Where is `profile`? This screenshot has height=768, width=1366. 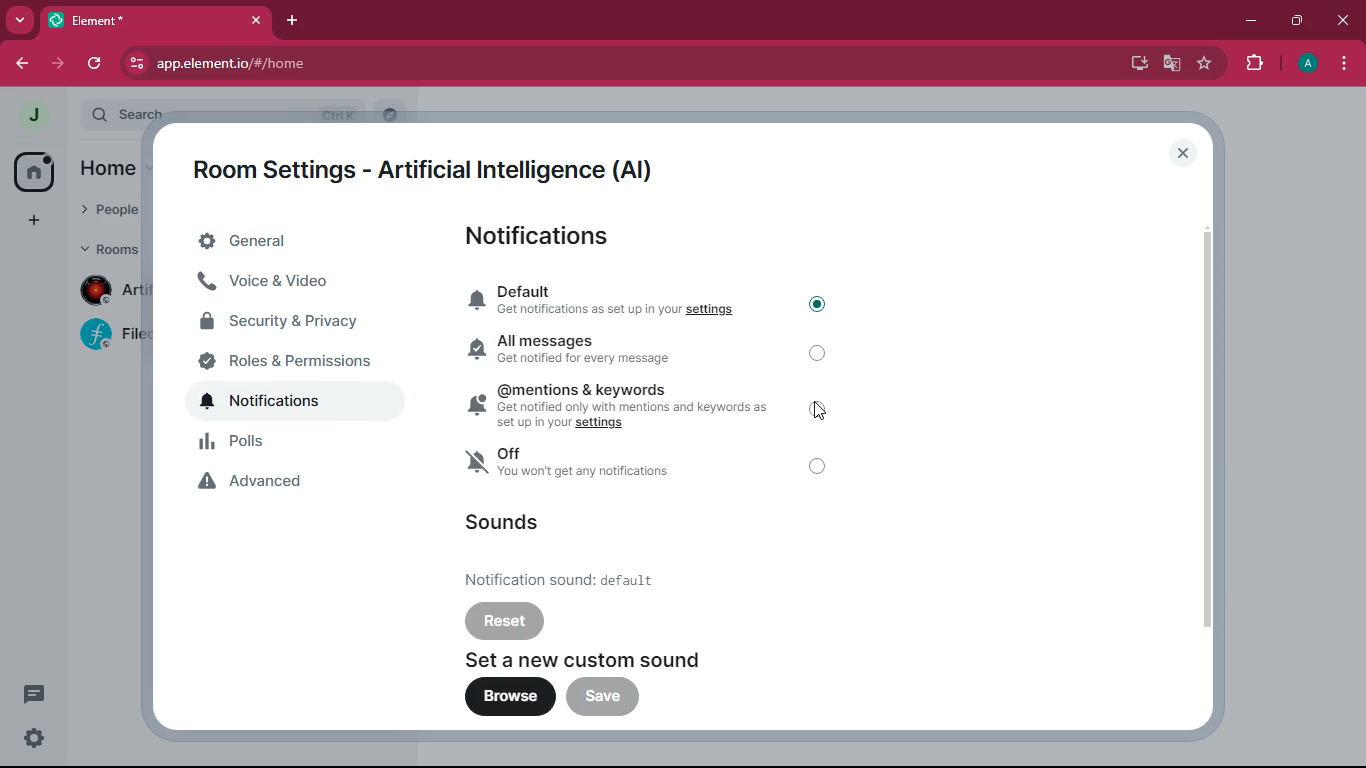 profile is located at coordinates (1309, 65).